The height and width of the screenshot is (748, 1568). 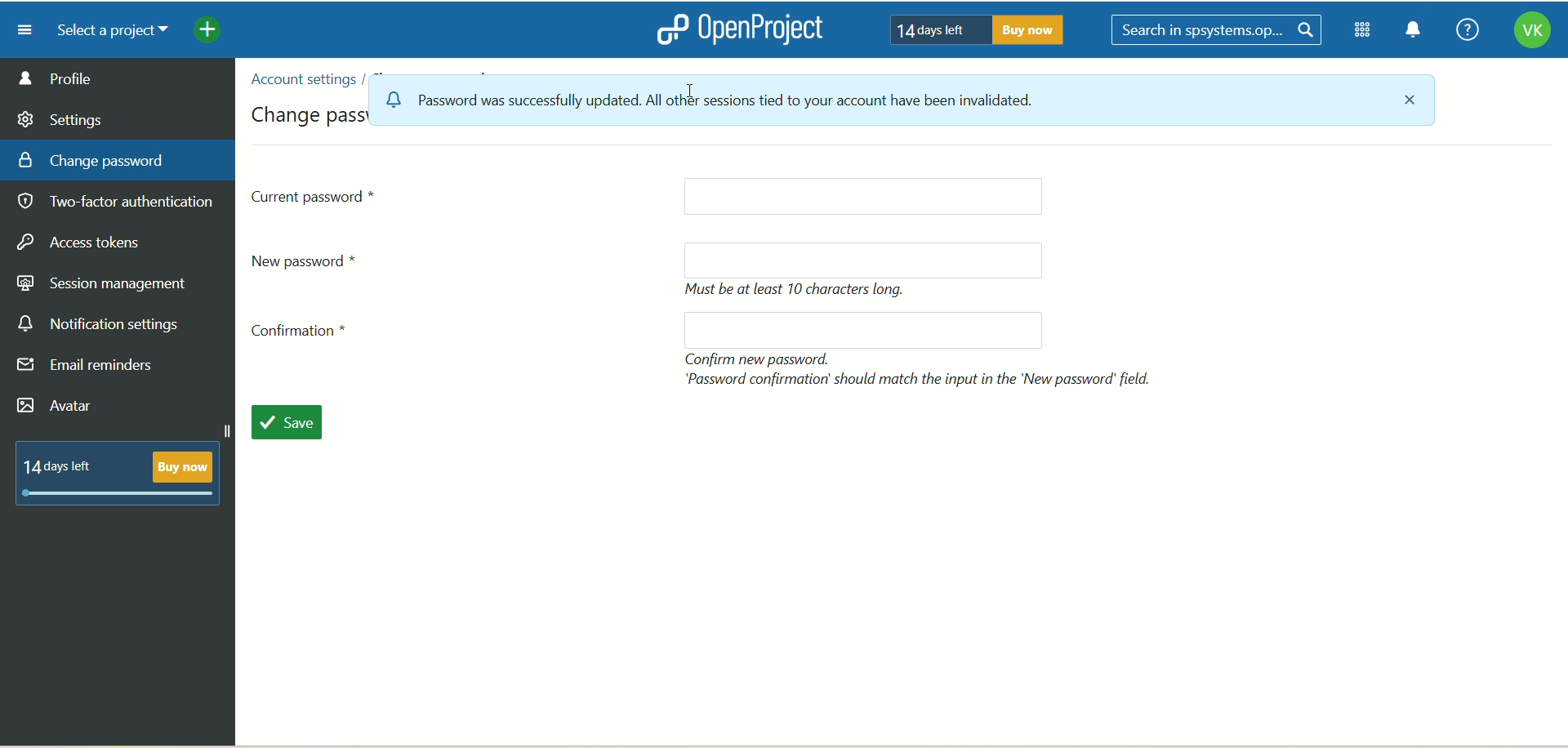 I want to click on select a project, so click(x=106, y=31).